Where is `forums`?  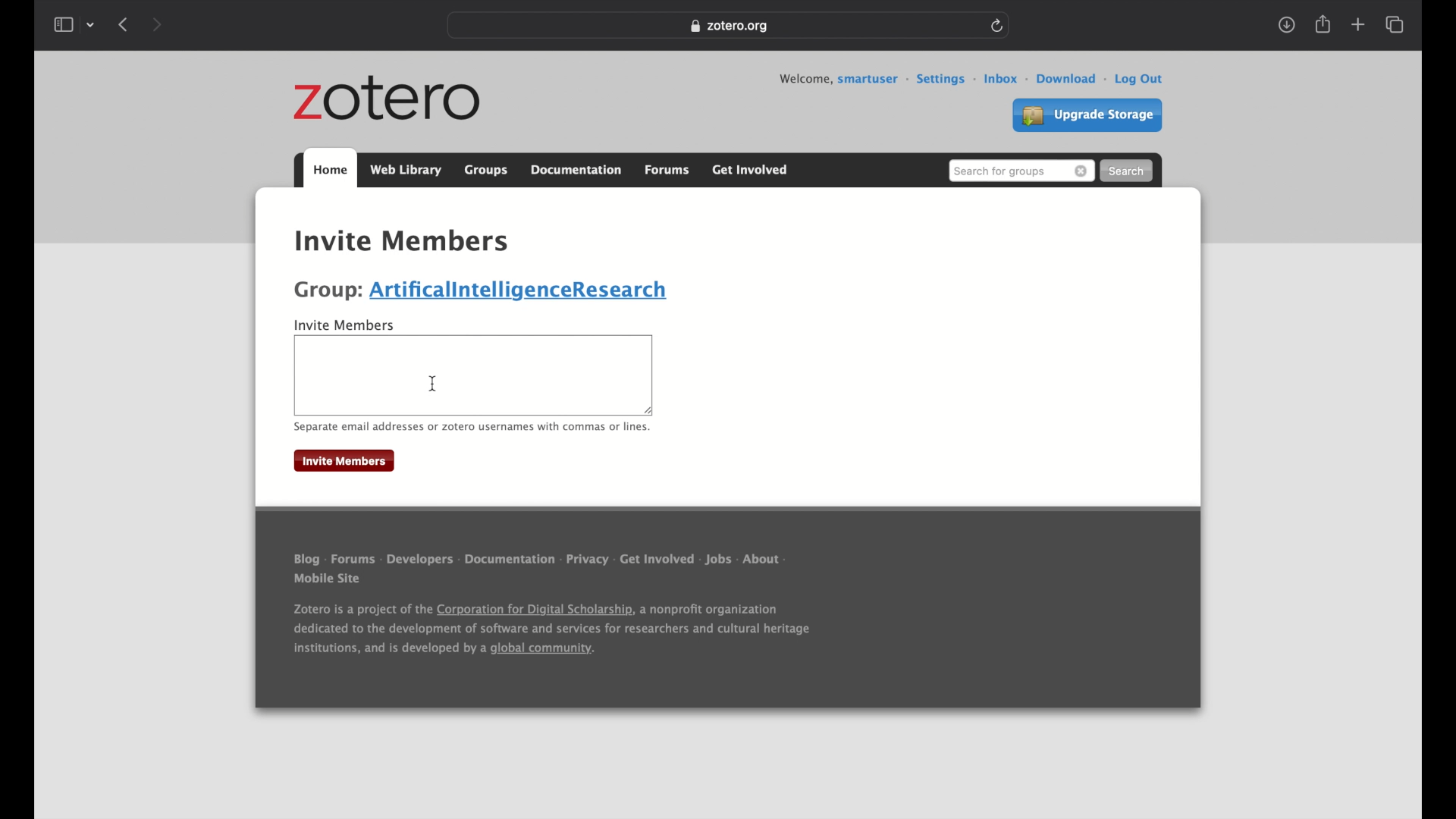
forums is located at coordinates (668, 171).